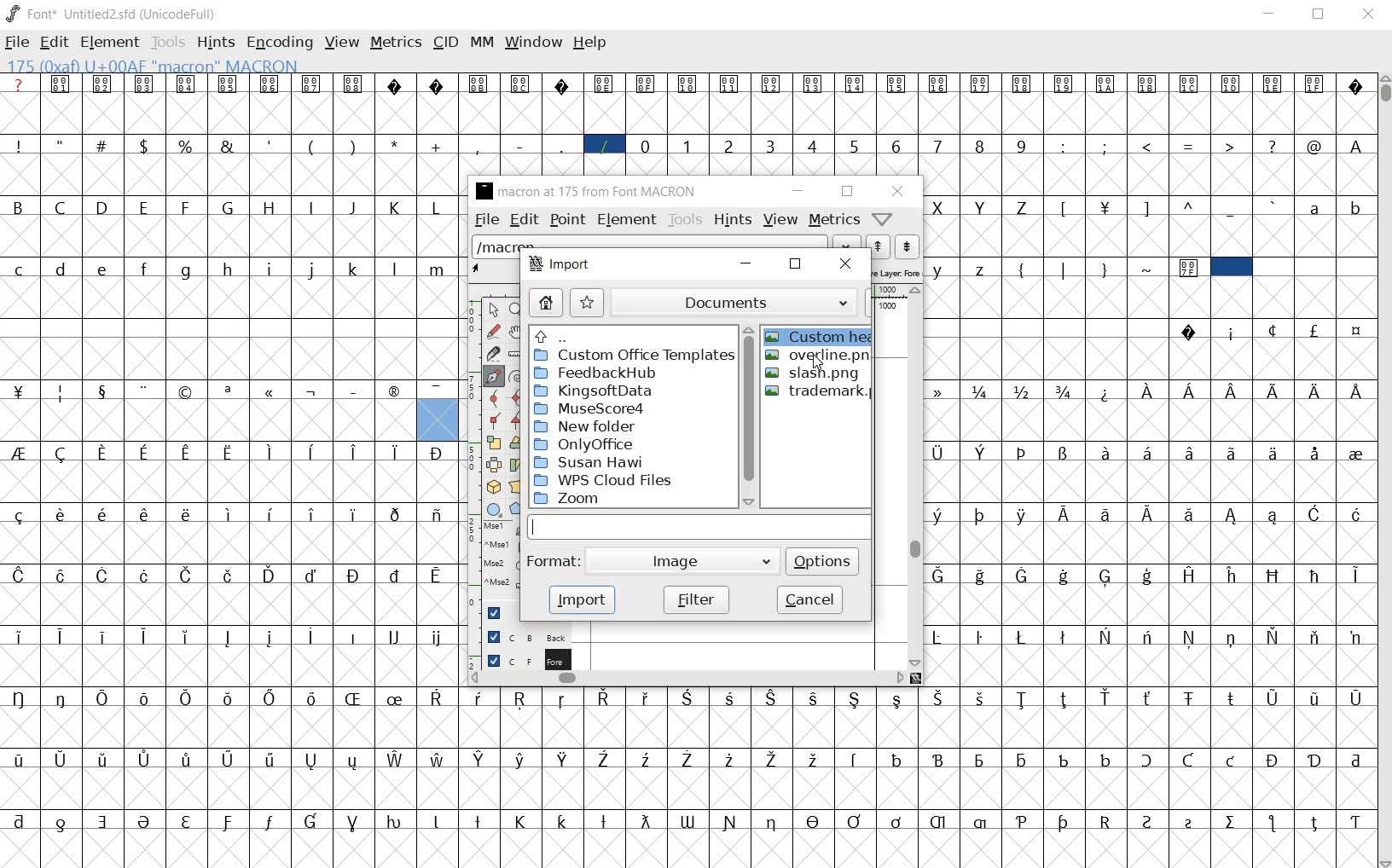 This screenshot has height=868, width=1392. I want to click on E, so click(145, 207).